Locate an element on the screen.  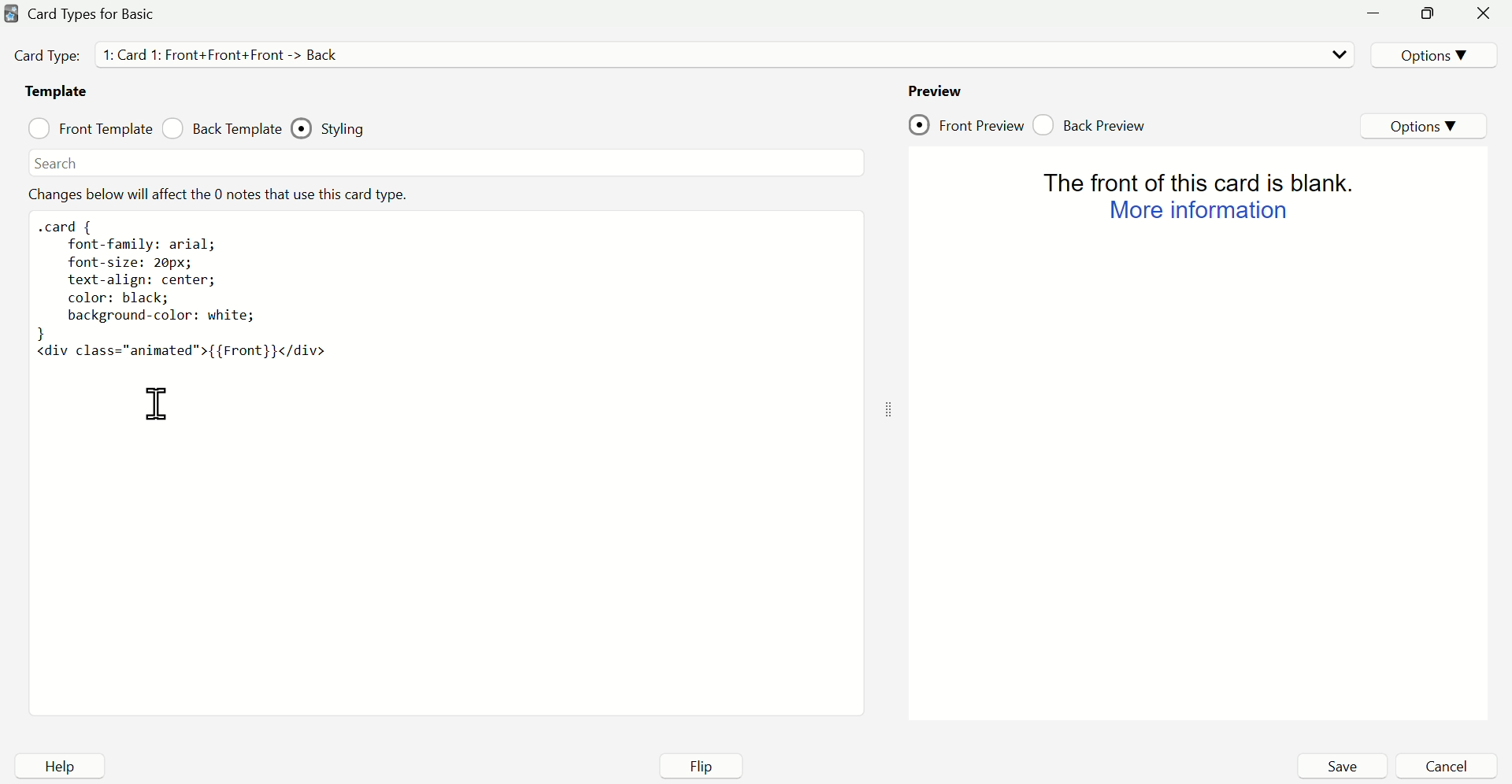
Options is located at coordinates (1426, 125).